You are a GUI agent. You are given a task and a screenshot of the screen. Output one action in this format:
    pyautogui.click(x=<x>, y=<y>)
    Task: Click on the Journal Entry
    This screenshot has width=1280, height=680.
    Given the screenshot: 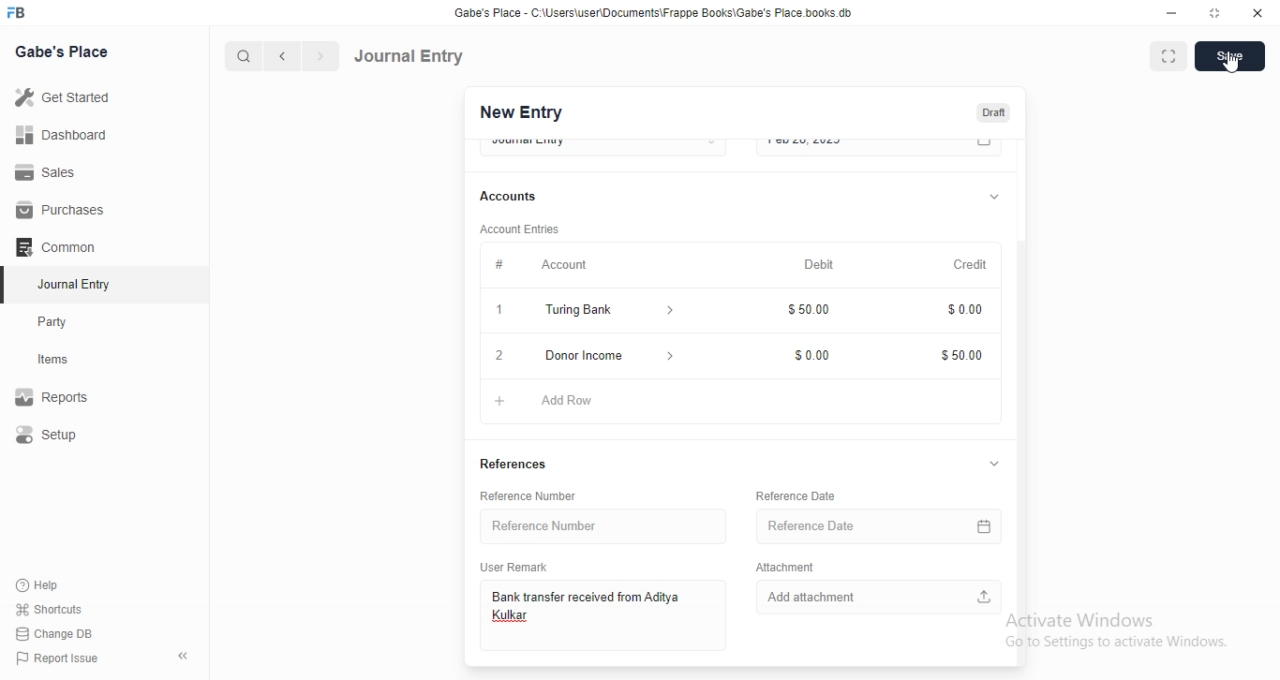 What is the action you would take?
    pyautogui.click(x=410, y=55)
    